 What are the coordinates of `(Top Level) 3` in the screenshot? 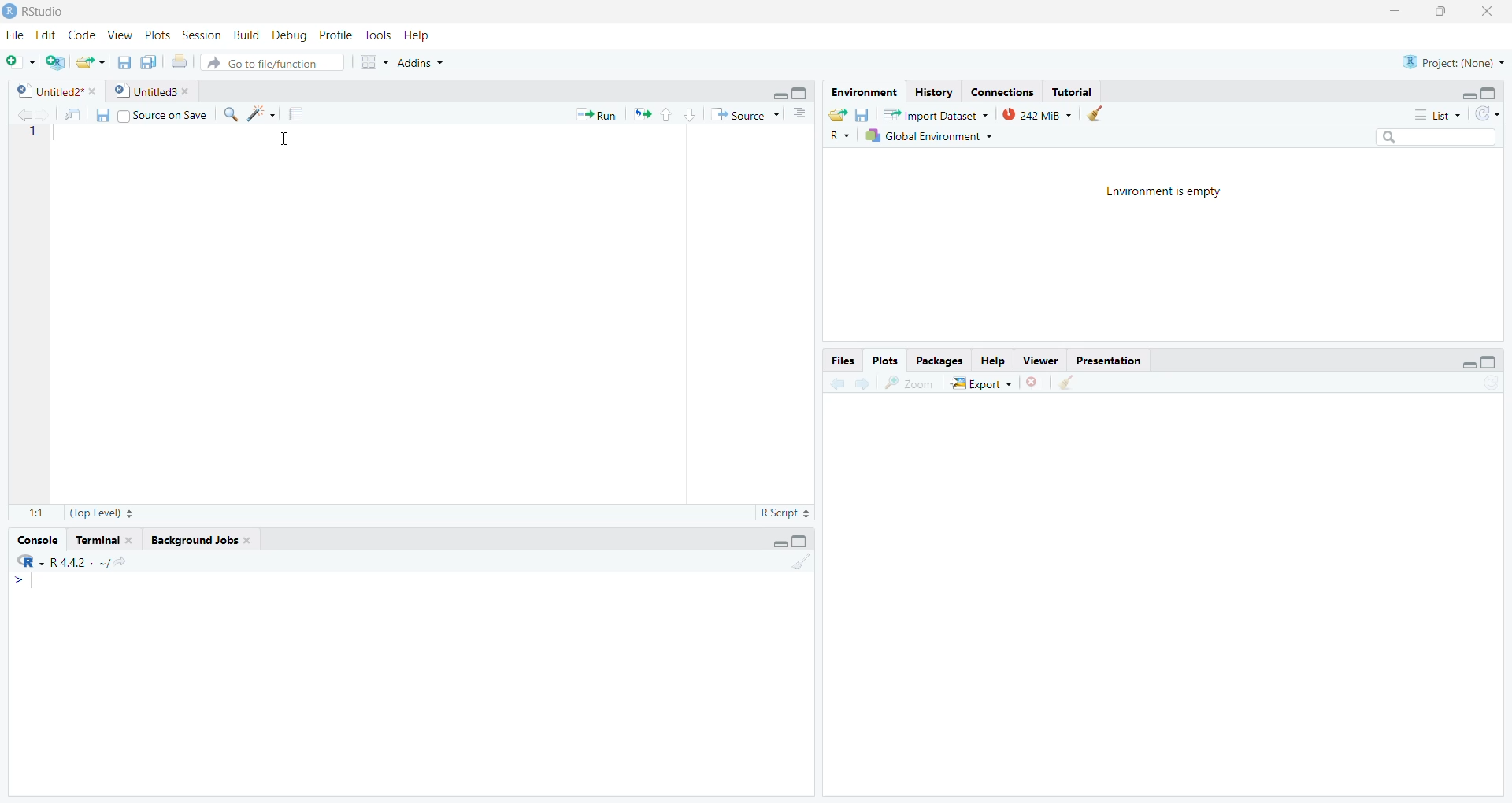 It's located at (102, 513).